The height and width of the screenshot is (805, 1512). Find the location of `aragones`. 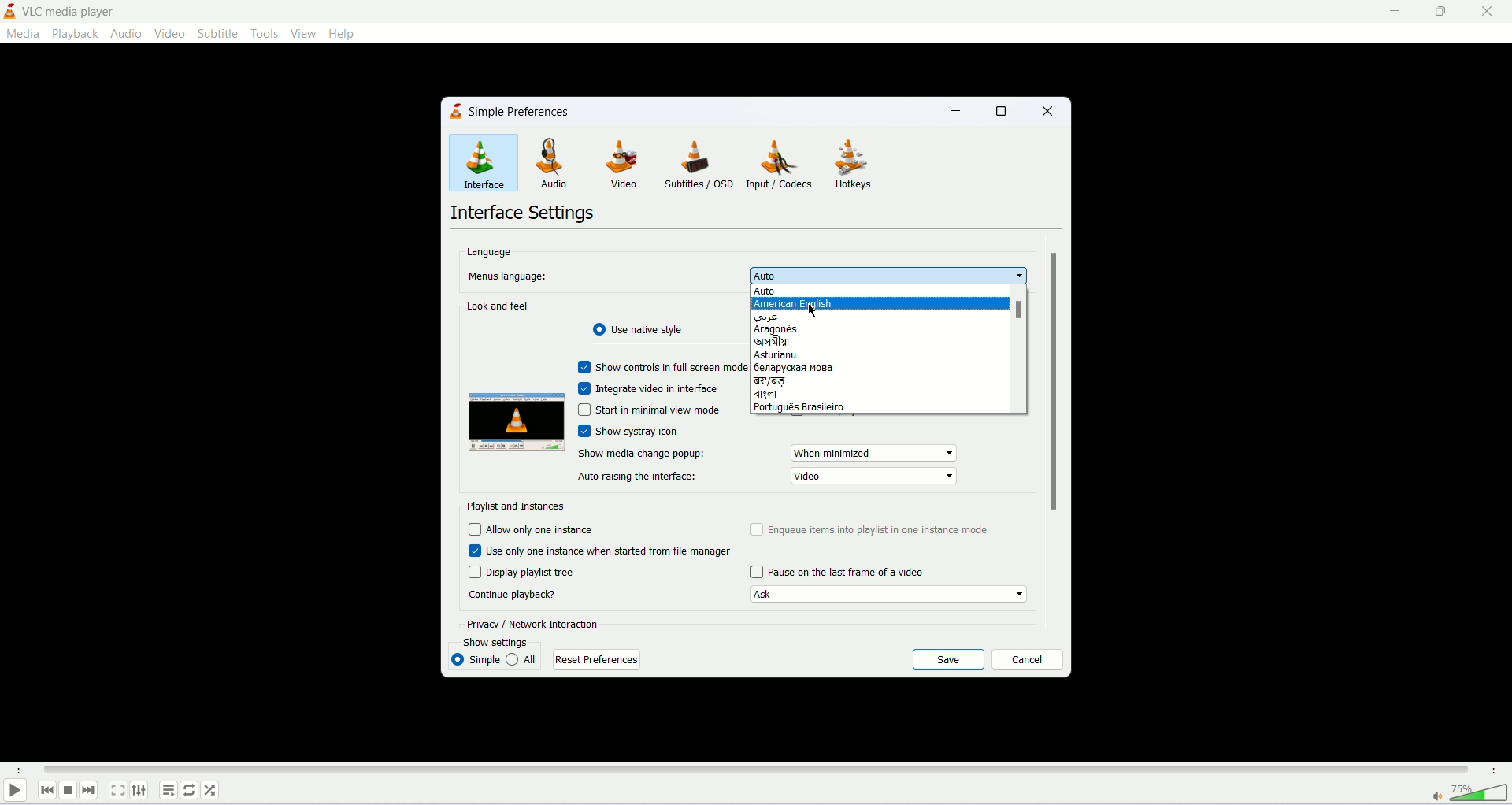

aragones is located at coordinates (802, 329).